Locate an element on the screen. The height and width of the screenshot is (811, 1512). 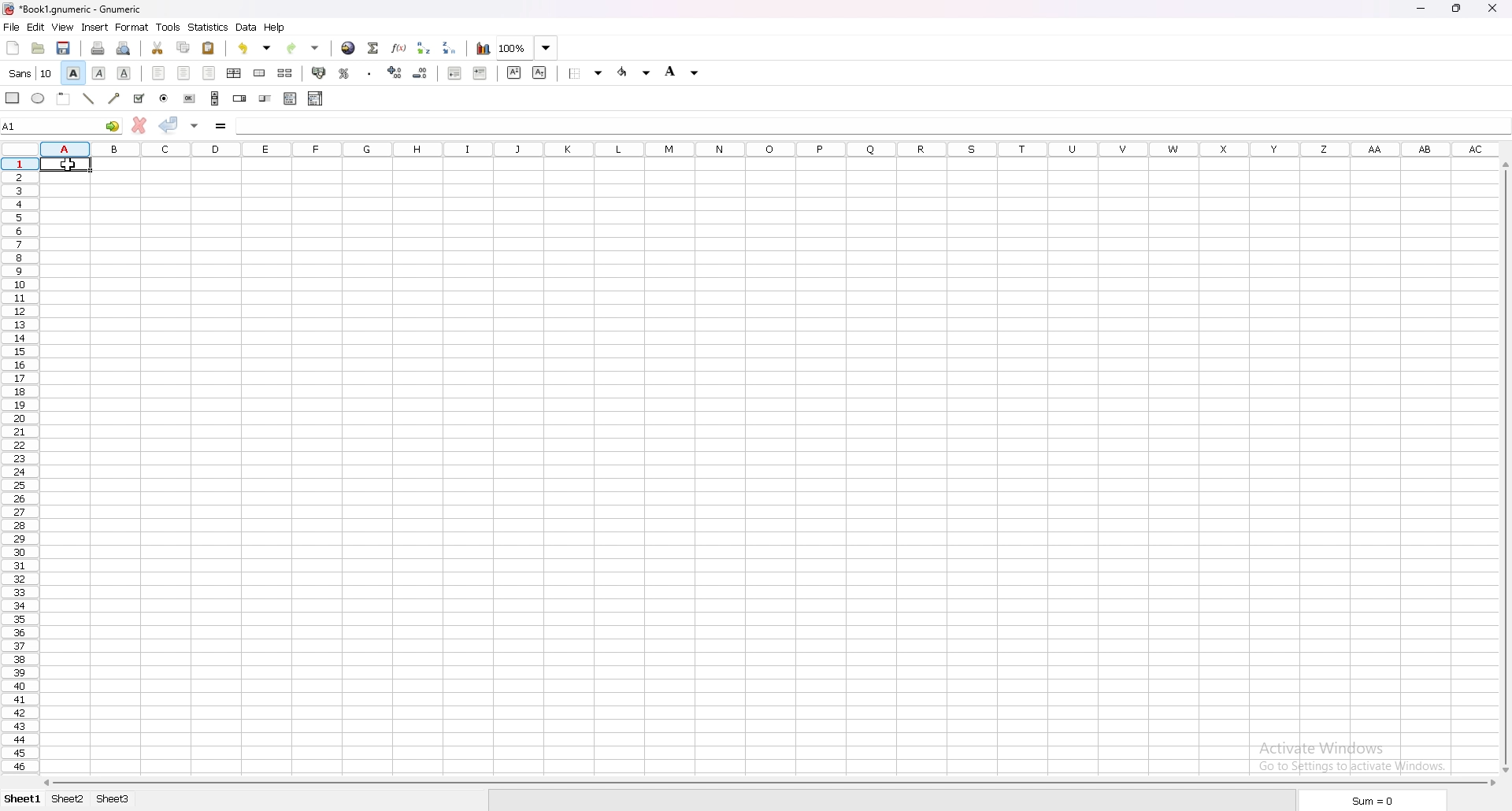
minimize is located at coordinates (1423, 10).